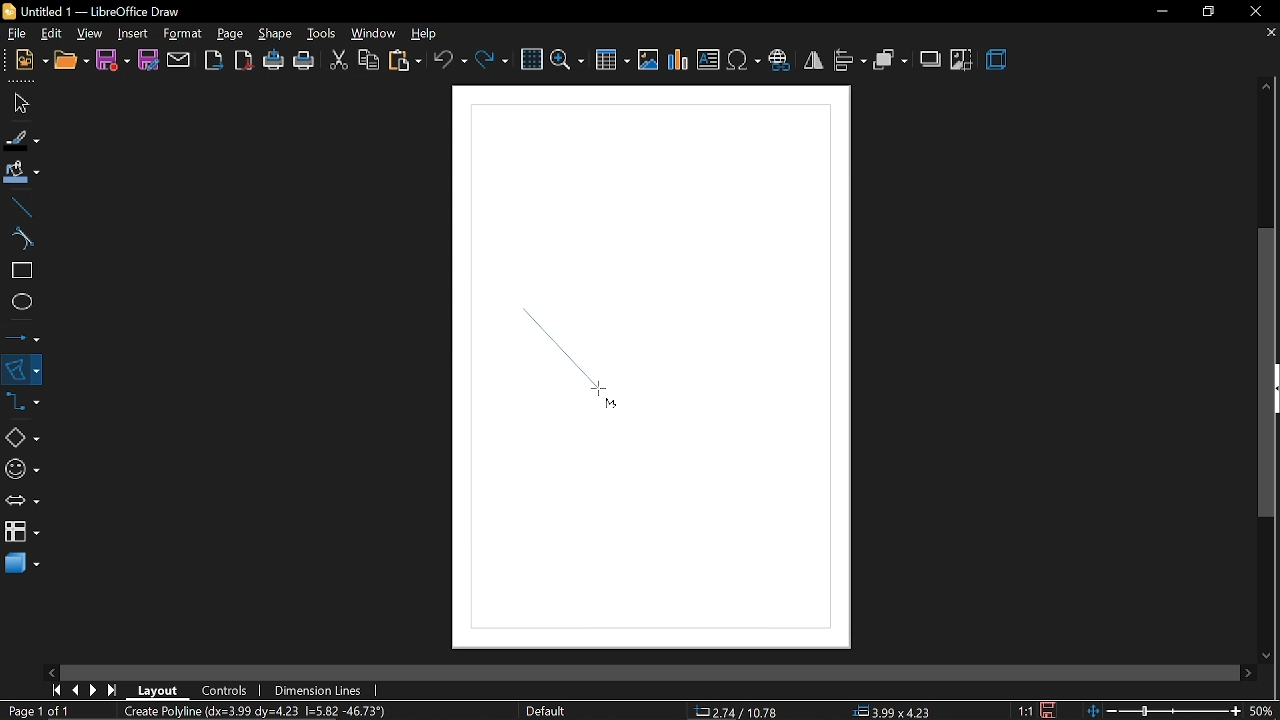 The width and height of the screenshot is (1280, 720). I want to click on save, so click(113, 60).